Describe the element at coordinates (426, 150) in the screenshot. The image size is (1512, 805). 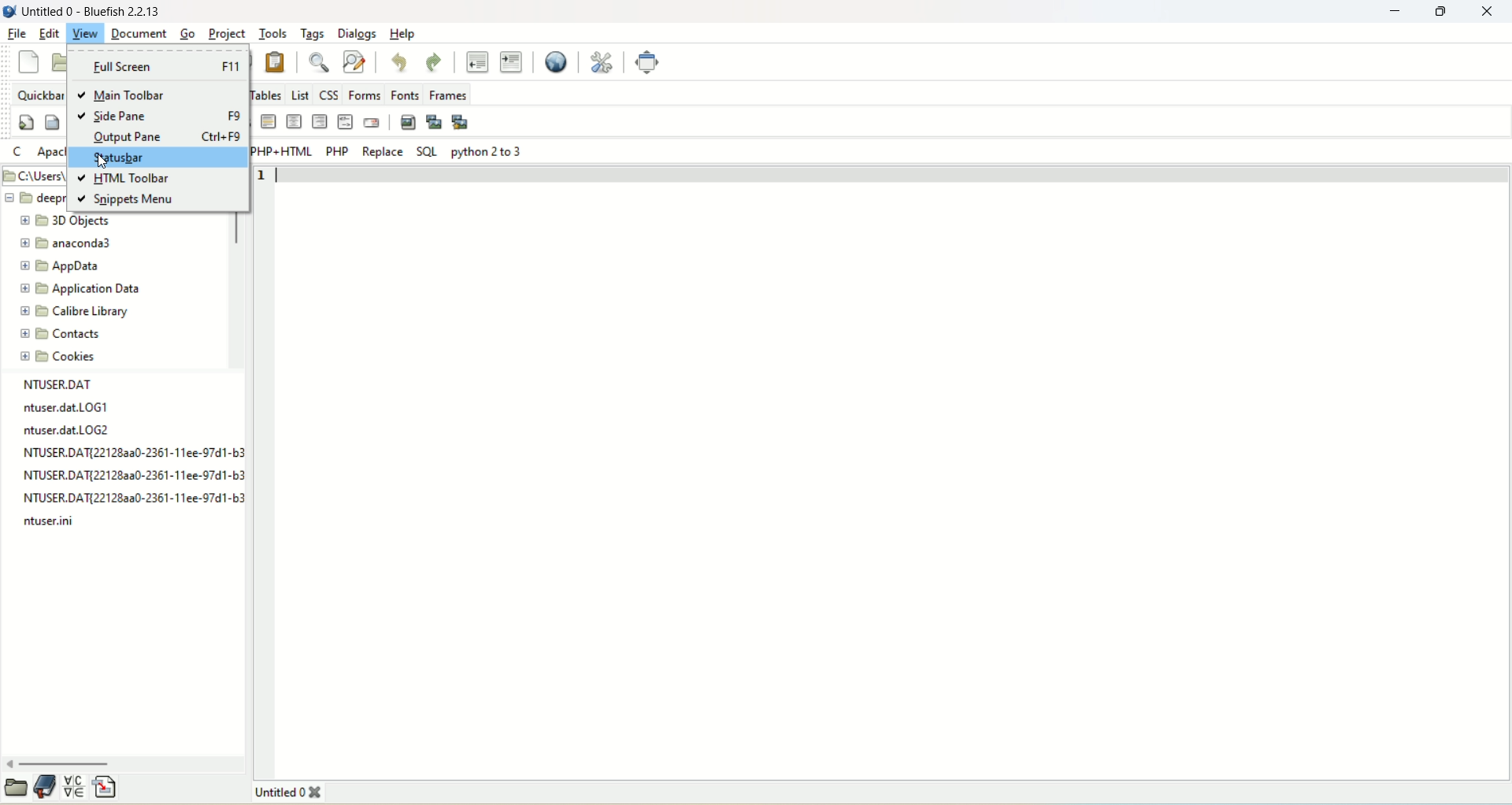
I see `SQL` at that location.